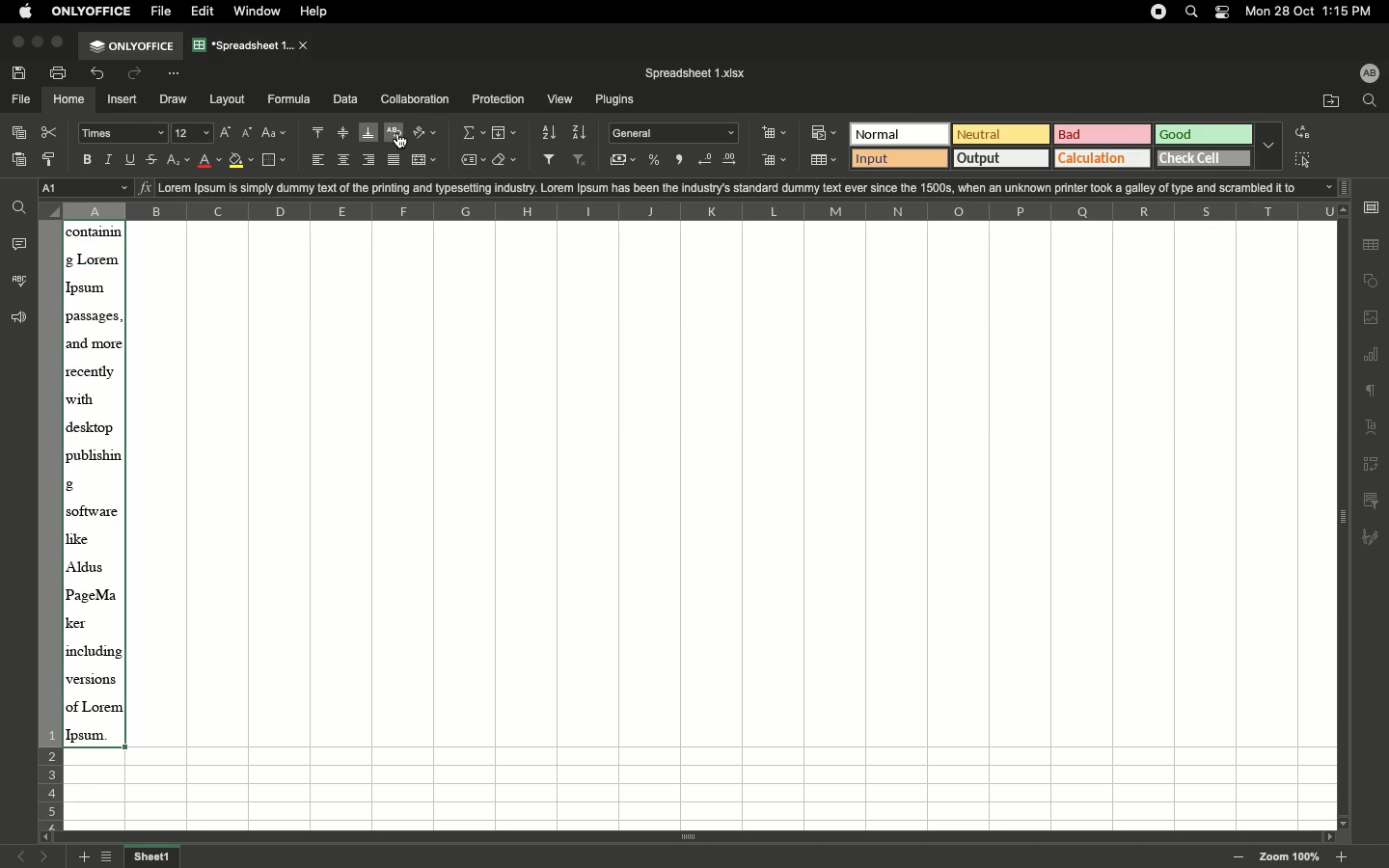 Image resolution: width=1389 pixels, height=868 pixels. What do you see at coordinates (1375, 499) in the screenshot?
I see `slicer` at bounding box center [1375, 499].